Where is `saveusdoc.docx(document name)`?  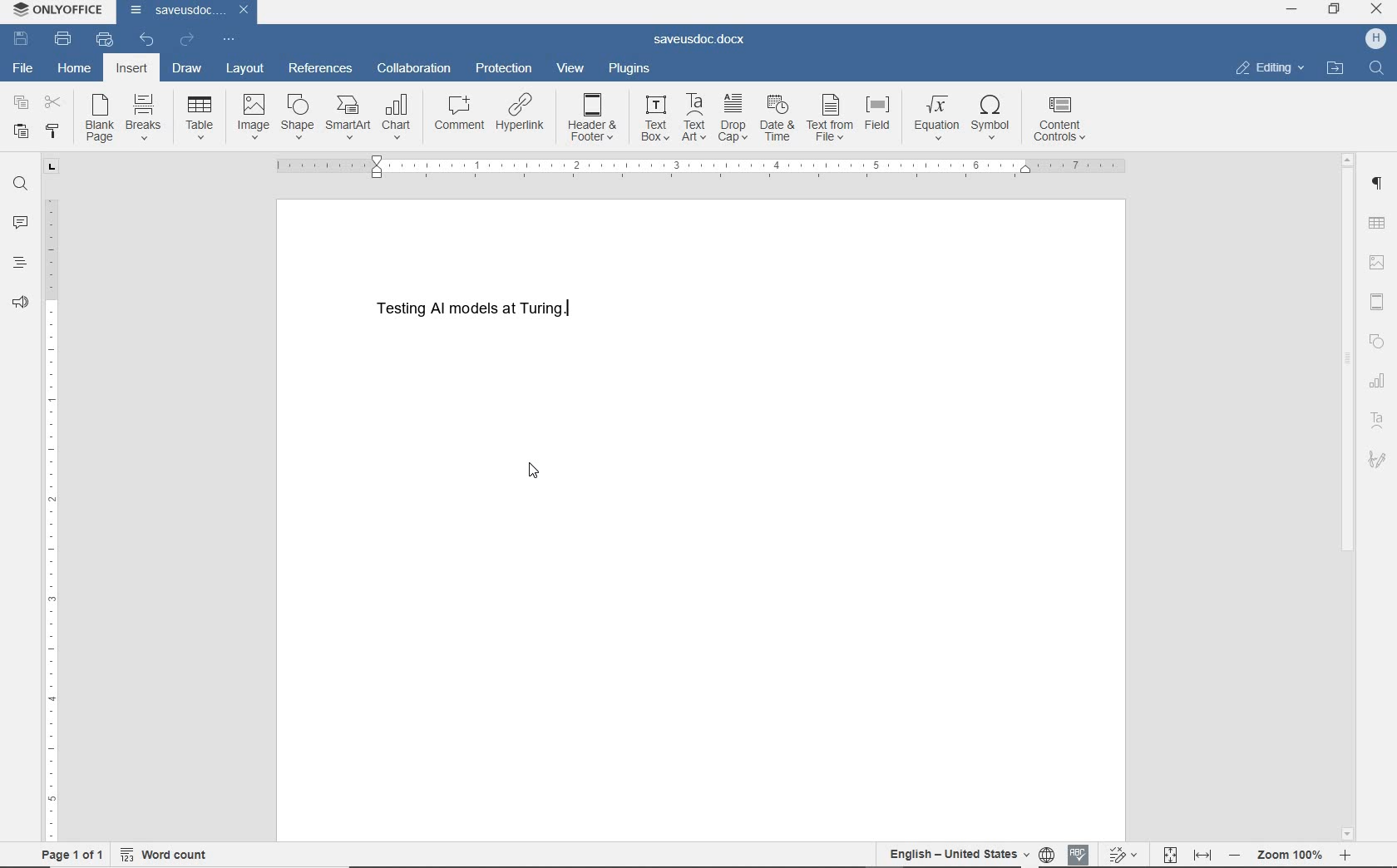
saveusdoc.docx(document name) is located at coordinates (699, 37).